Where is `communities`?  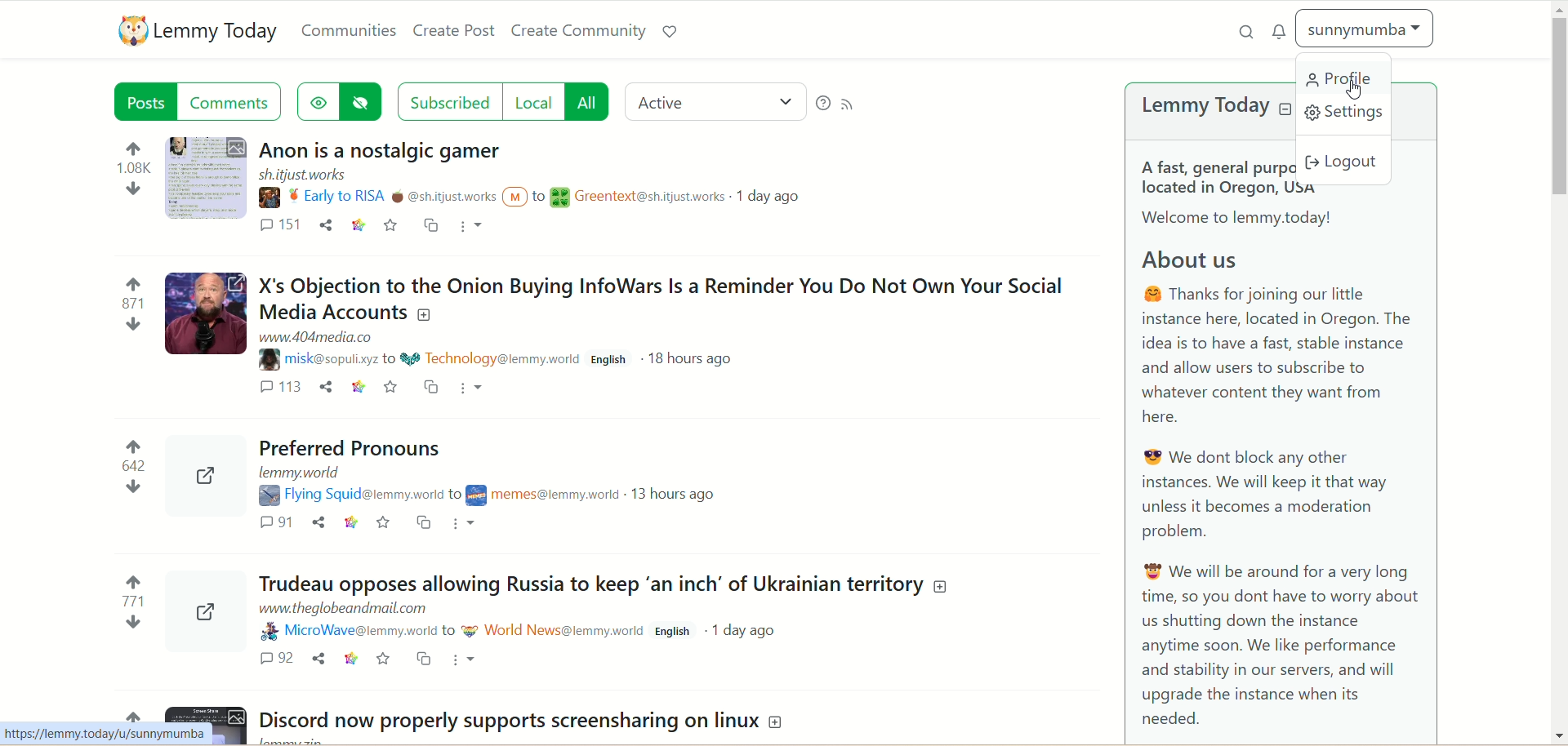
communities is located at coordinates (350, 30).